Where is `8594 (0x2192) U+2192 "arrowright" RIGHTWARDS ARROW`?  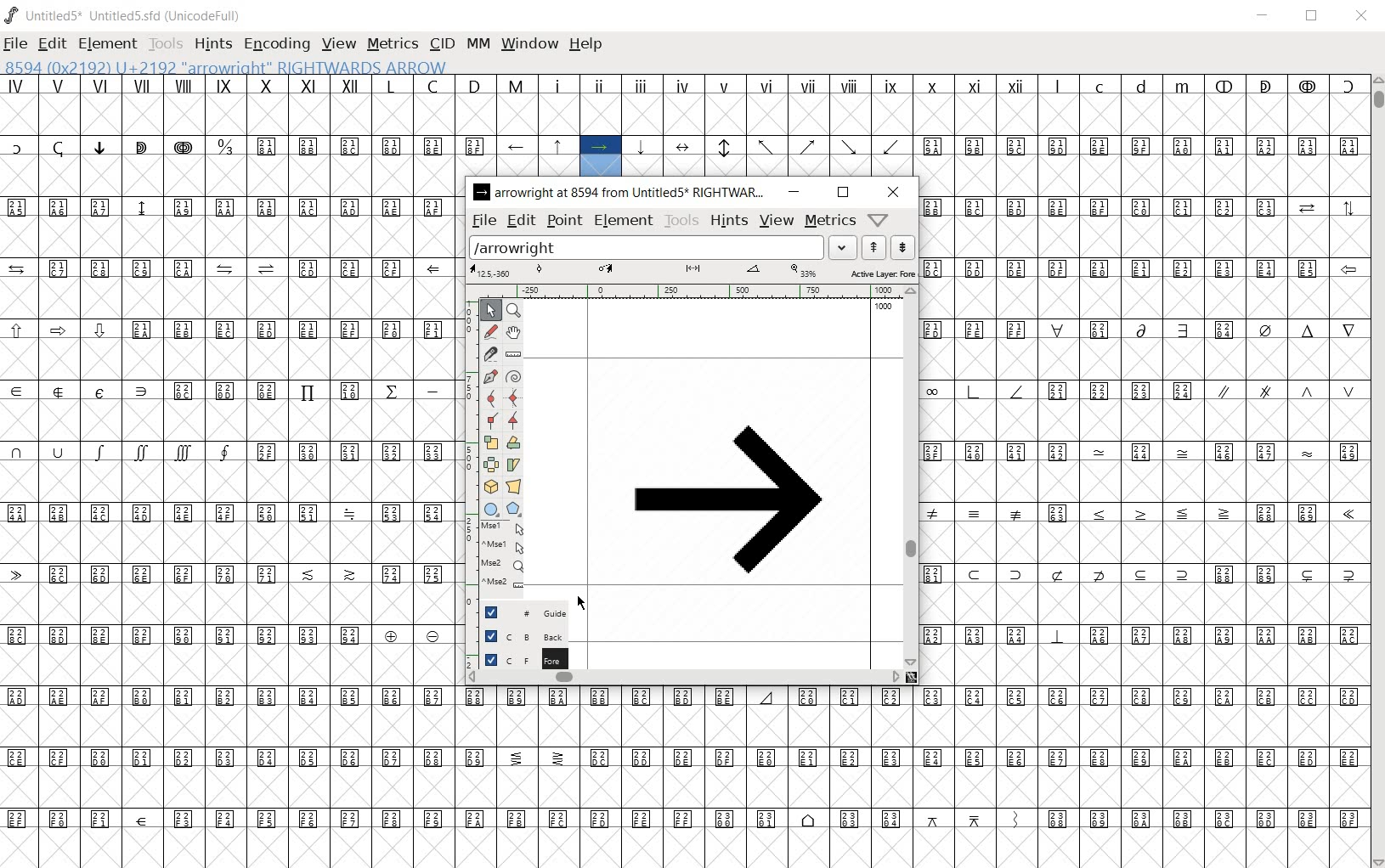 8594 (0x2192) U+2192 "arrowright" RIGHTWARDS ARROW is located at coordinates (226, 65).